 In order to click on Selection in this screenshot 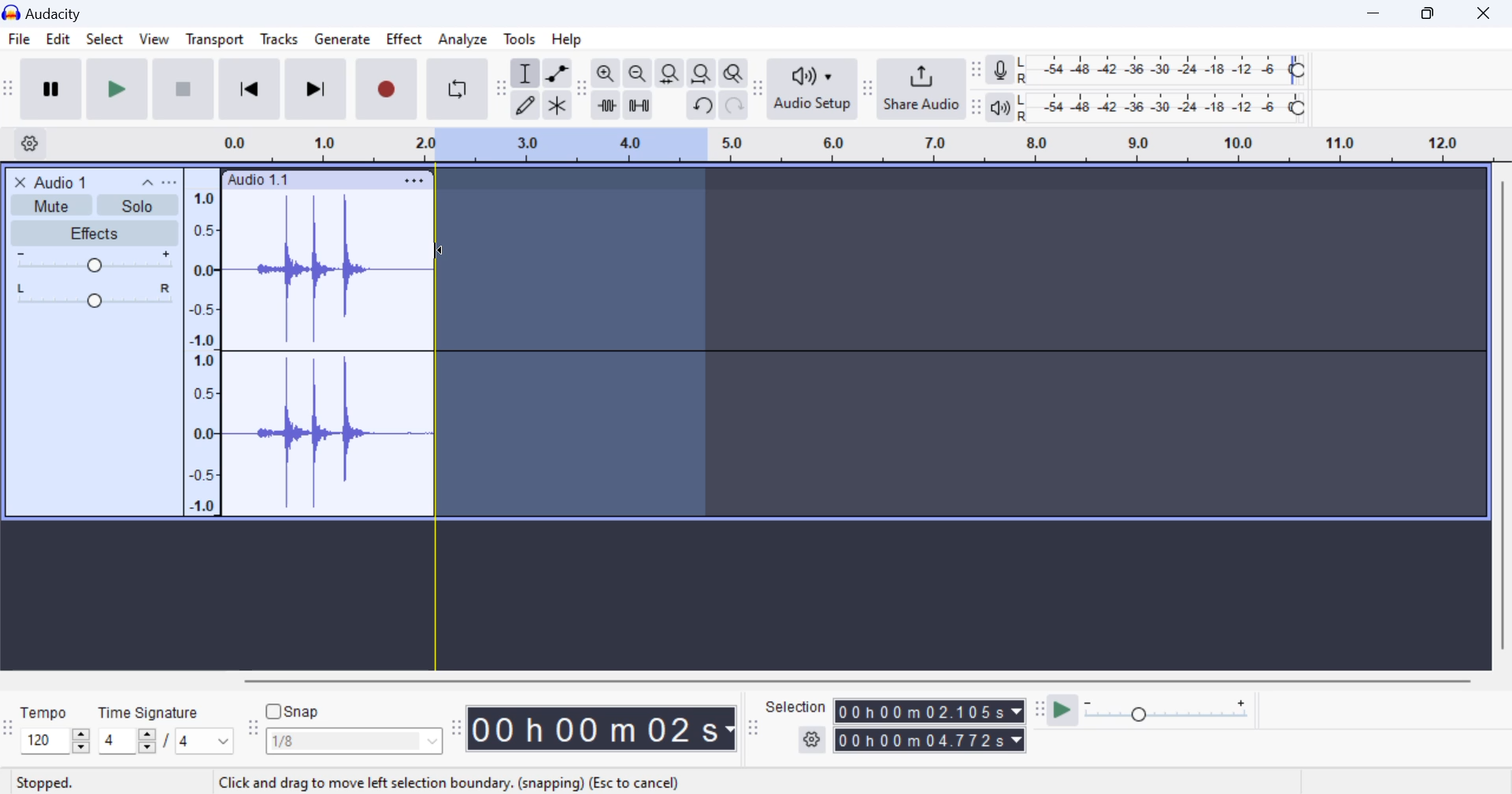, I will do `click(796, 707)`.